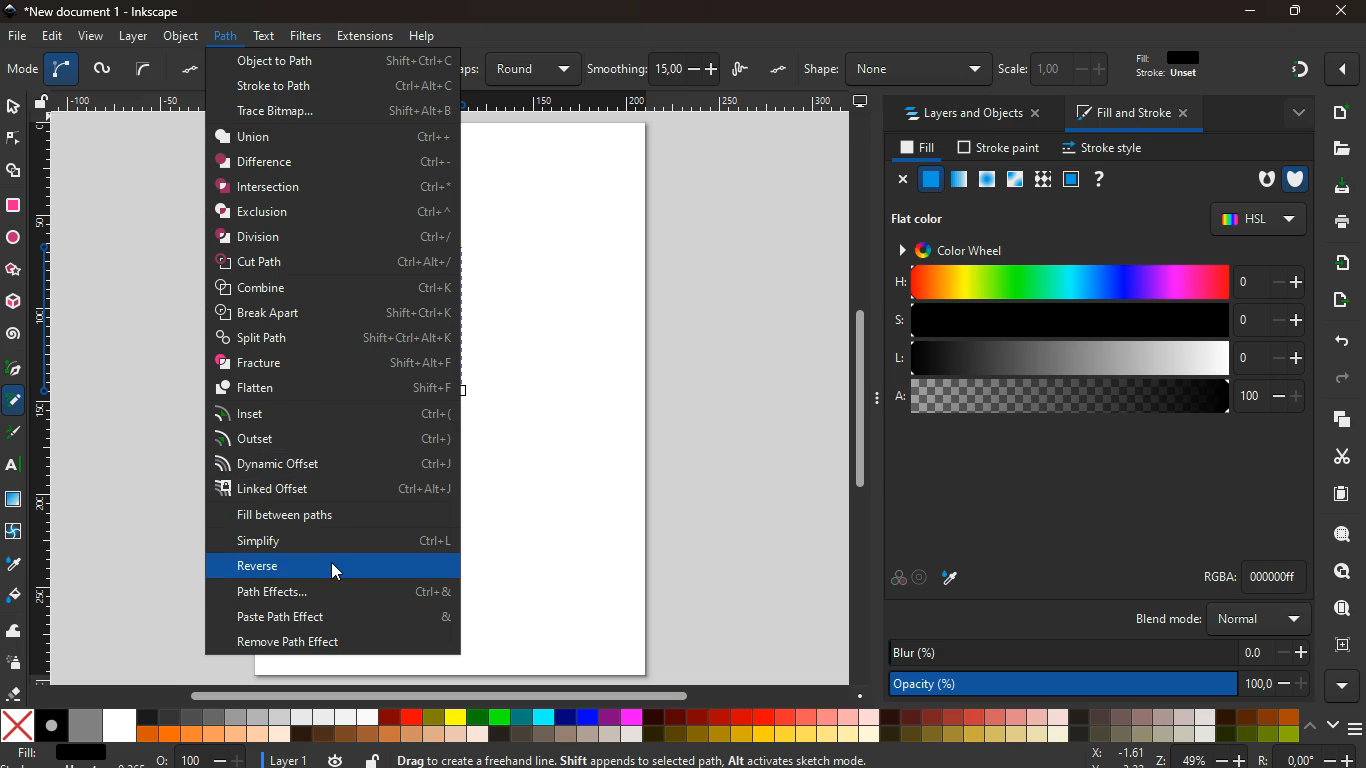 Image resolution: width=1366 pixels, height=768 pixels. What do you see at coordinates (645, 760) in the screenshot?
I see `Drag to create a freehand line. Shift appends to selected path, Alt activates sketch mode.` at bounding box center [645, 760].